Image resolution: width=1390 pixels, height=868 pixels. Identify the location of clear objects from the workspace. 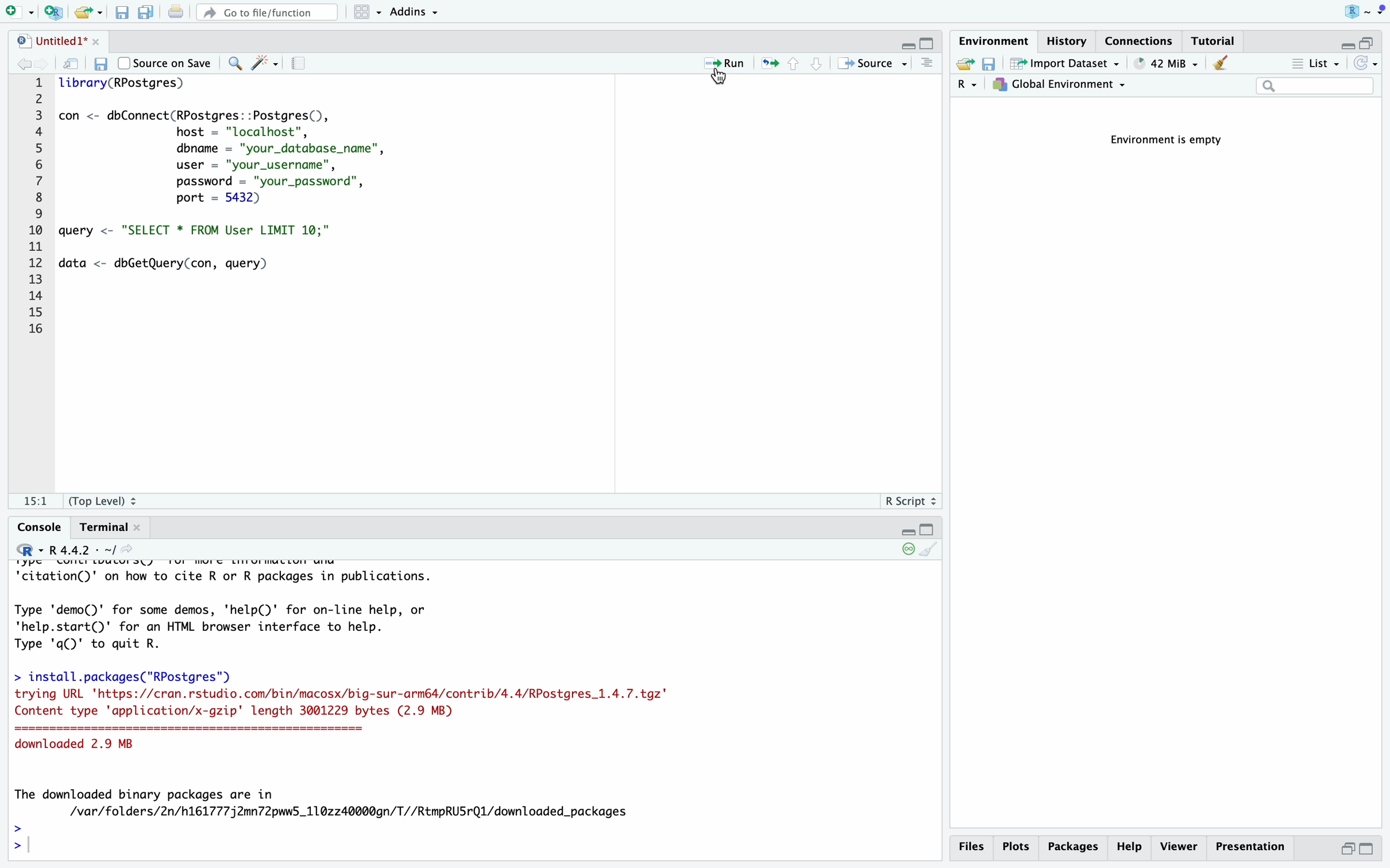
(1226, 64).